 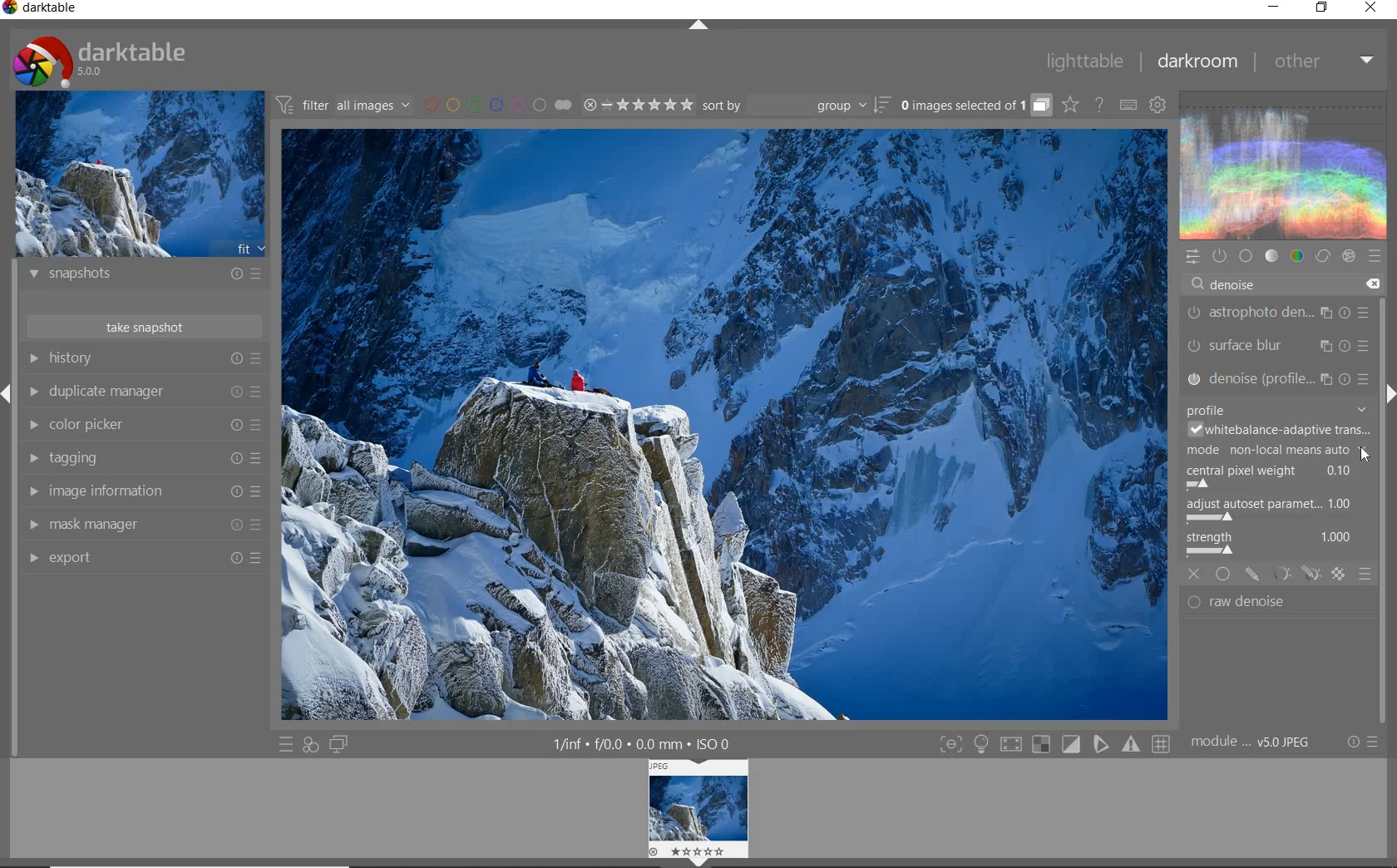 What do you see at coordinates (1365, 742) in the screenshot?
I see `reset or presets and preferences` at bounding box center [1365, 742].